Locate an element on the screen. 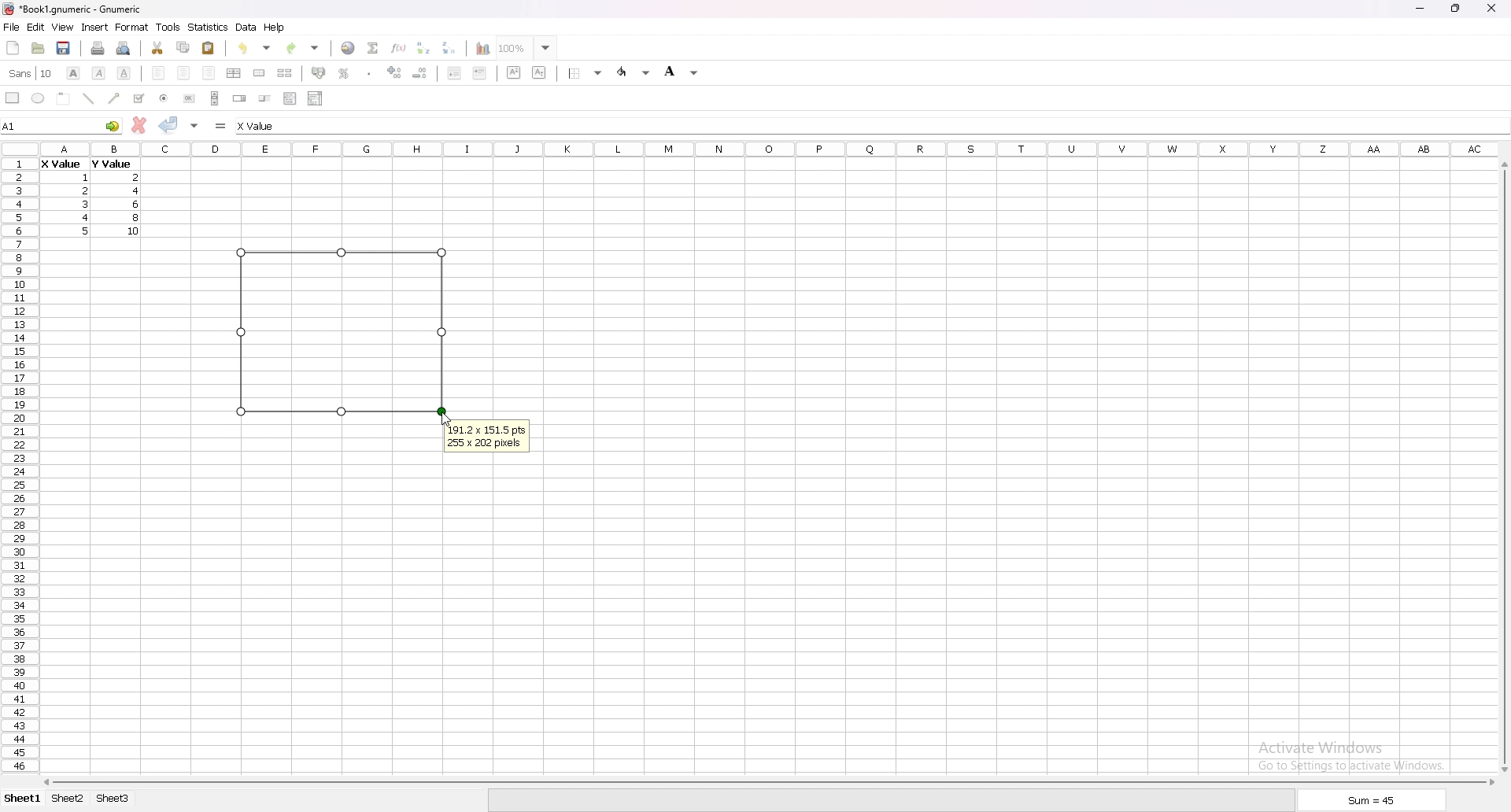 Image resolution: width=1511 pixels, height=812 pixels. italic is located at coordinates (100, 72).